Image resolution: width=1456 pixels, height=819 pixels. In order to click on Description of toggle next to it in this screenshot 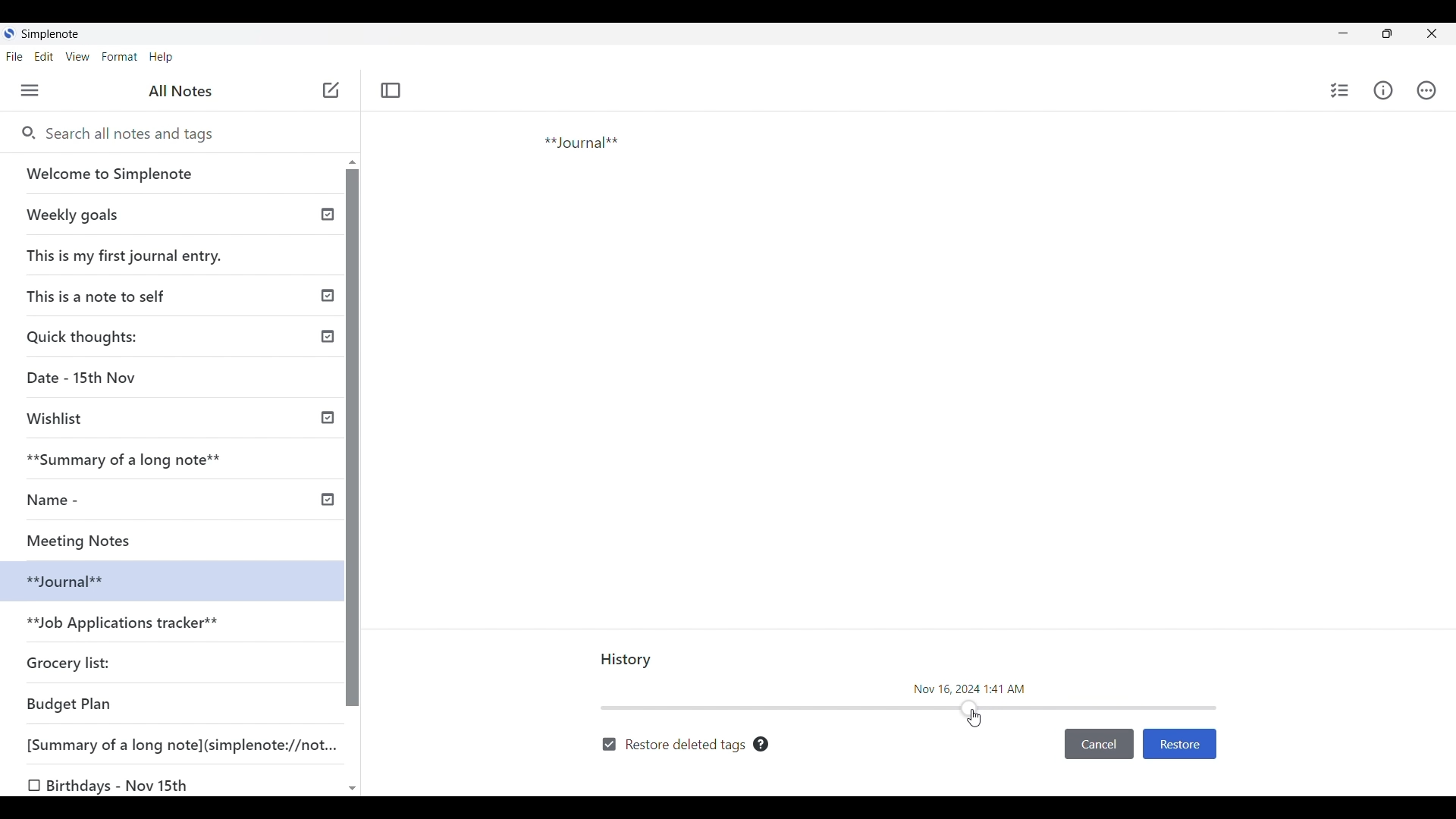, I will do `click(761, 744)`.